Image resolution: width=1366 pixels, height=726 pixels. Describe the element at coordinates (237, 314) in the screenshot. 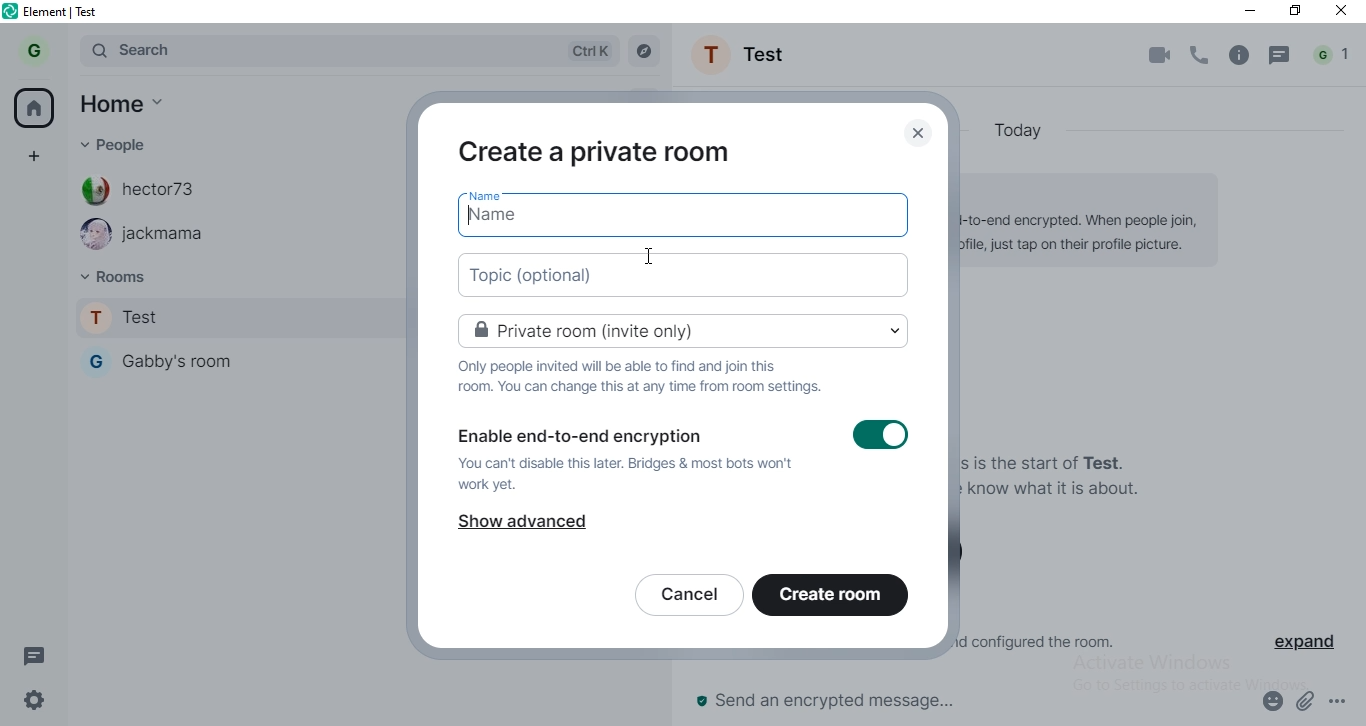

I see `test` at that location.